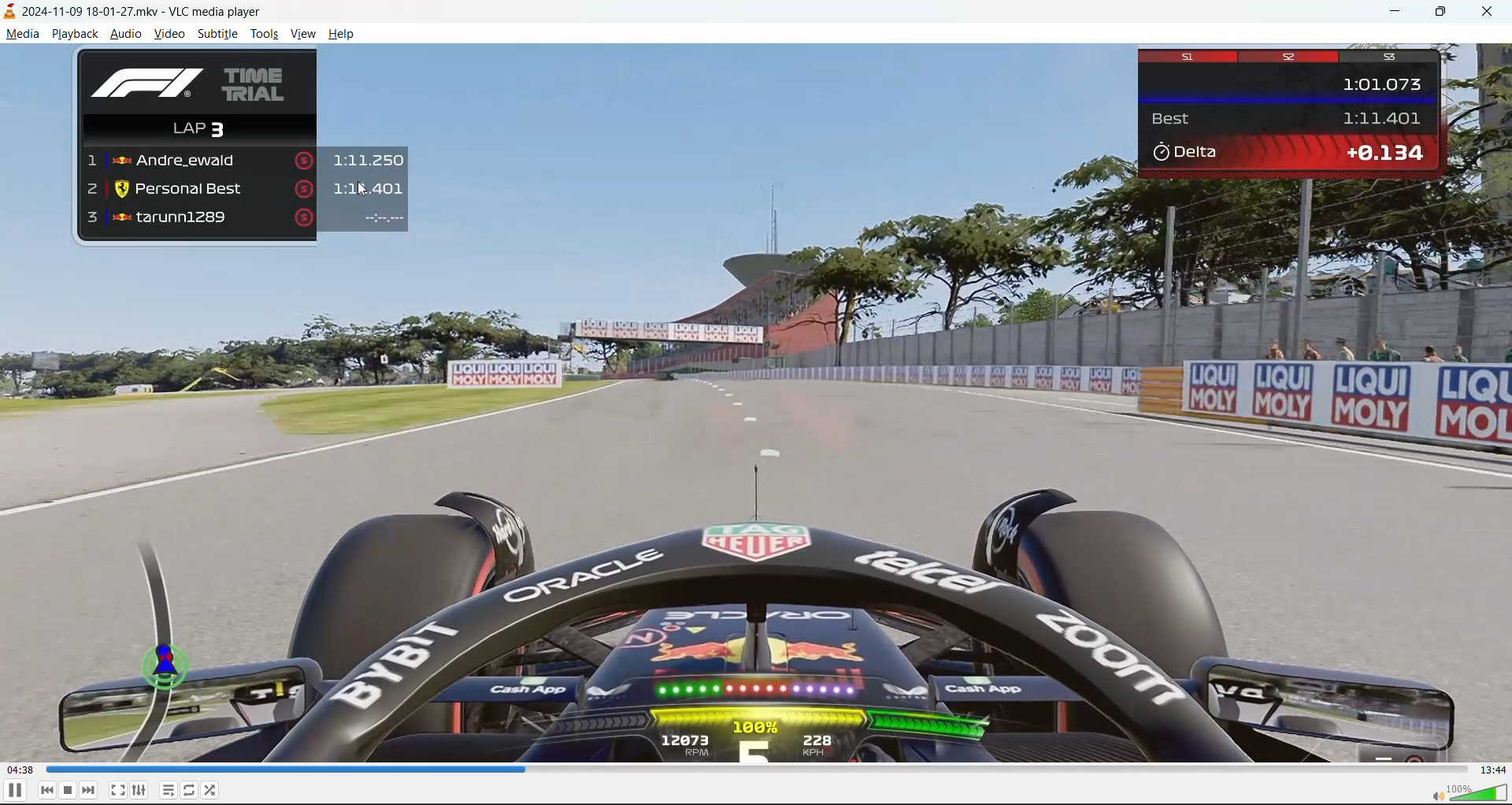 The width and height of the screenshot is (1512, 805). I want to click on icon, so click(10, 10).